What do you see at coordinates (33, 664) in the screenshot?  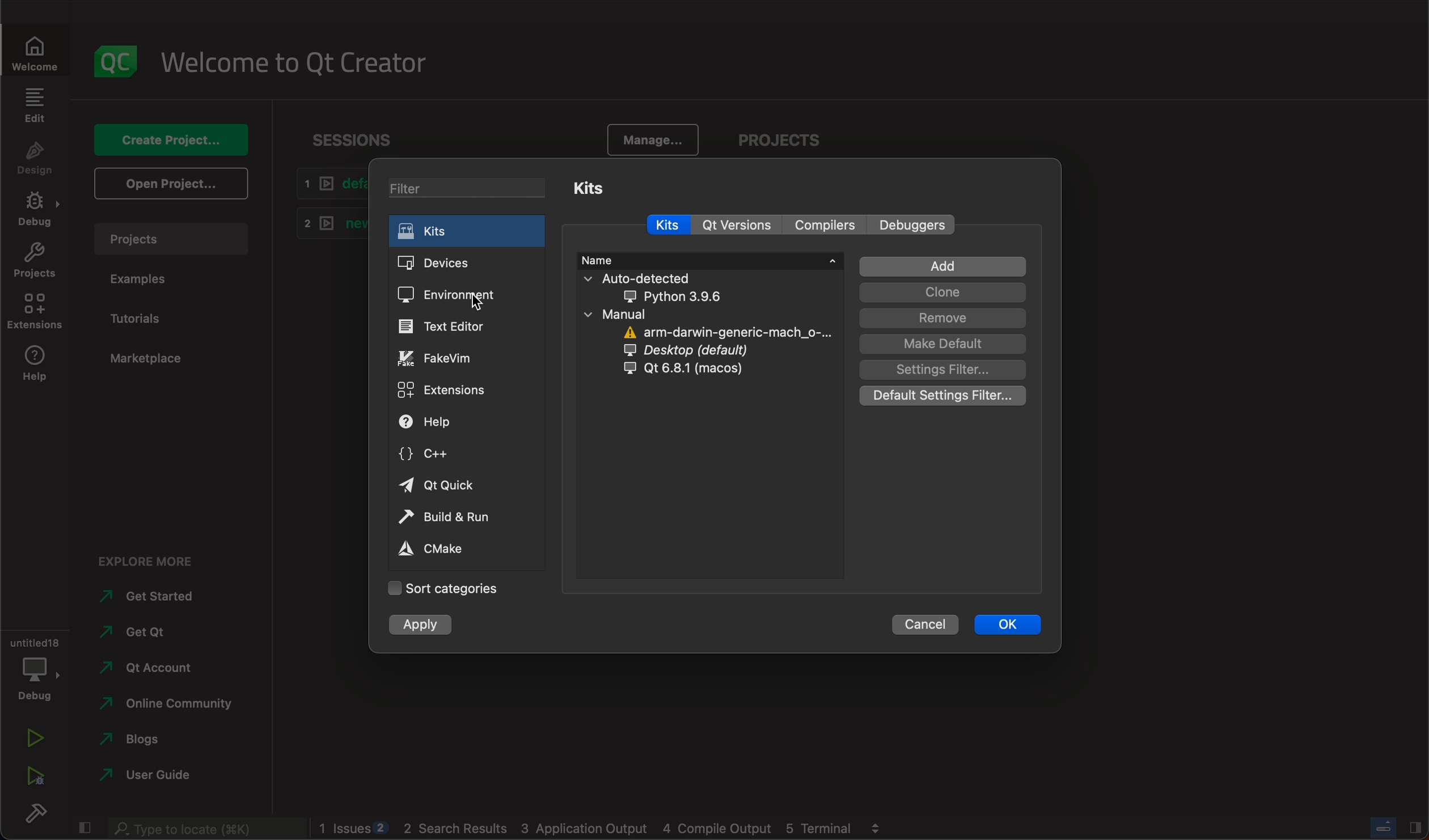 I see `debug` at bounding box center [33, 664].